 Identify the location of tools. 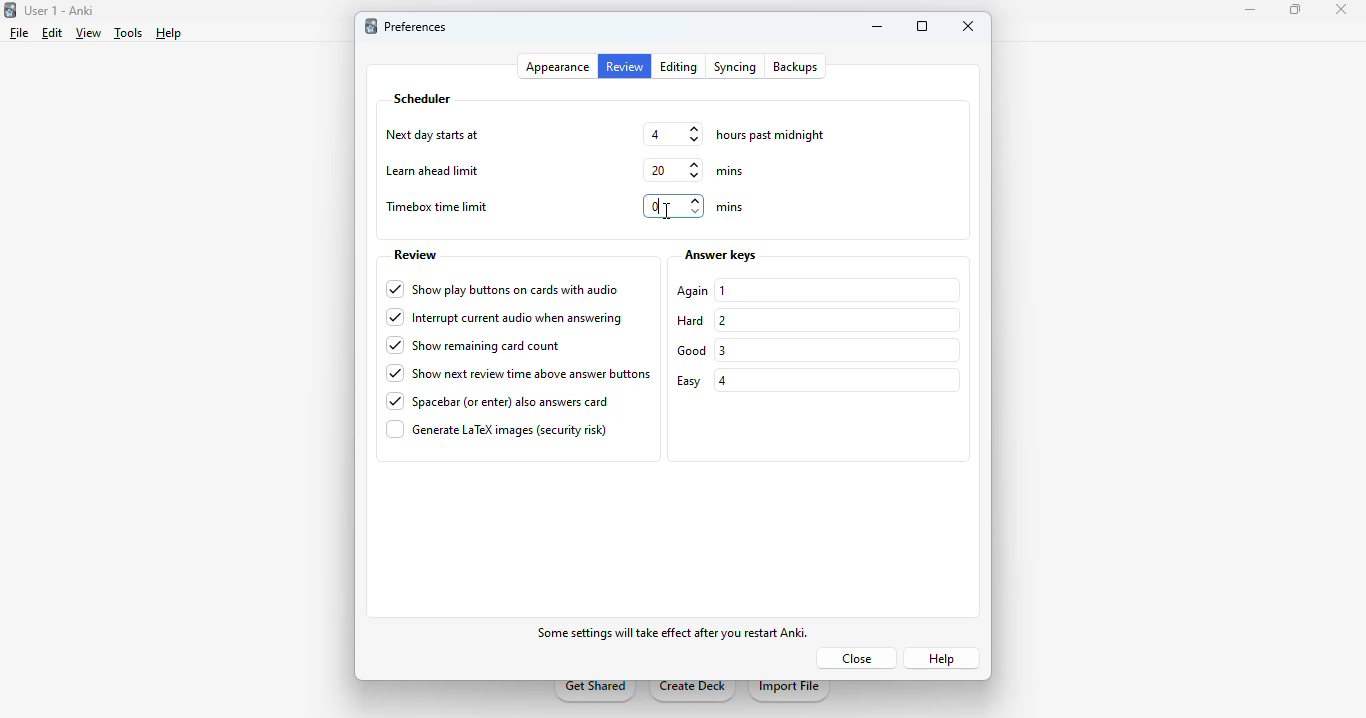
(128, 33).